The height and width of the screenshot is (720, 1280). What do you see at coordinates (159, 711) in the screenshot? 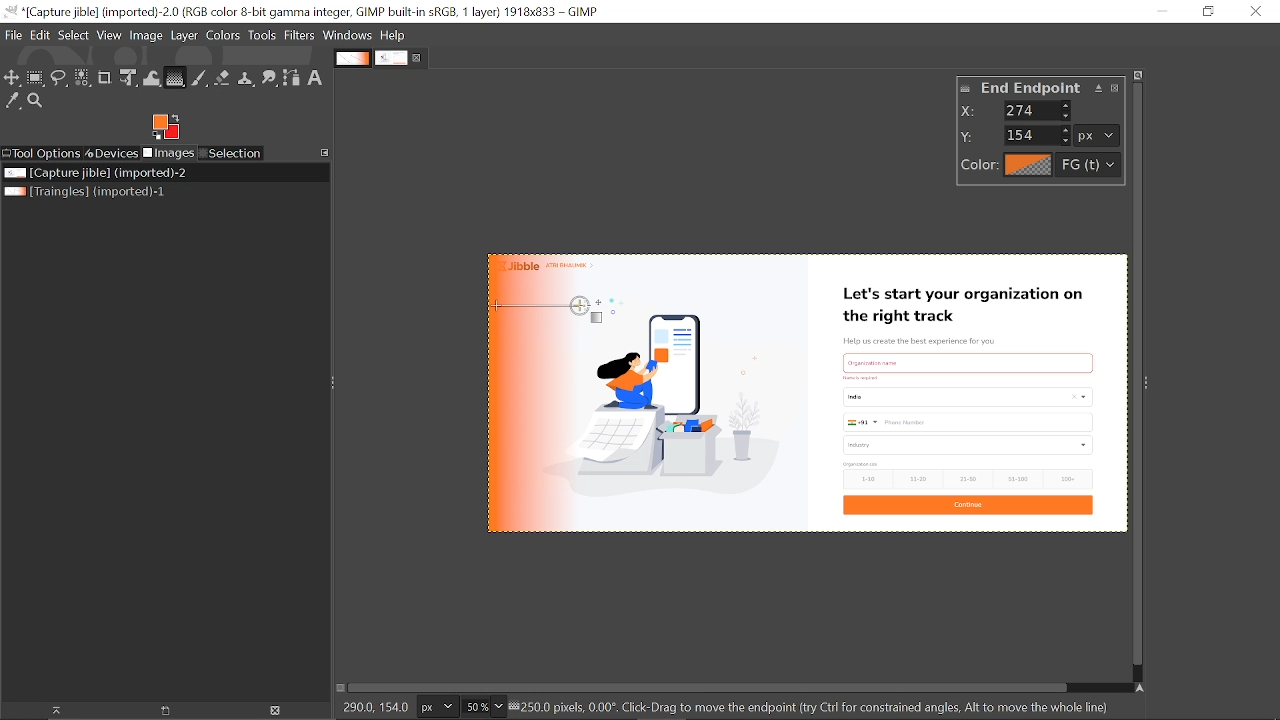
I see `Create a new display for the image` at bounding box center [159, 711].